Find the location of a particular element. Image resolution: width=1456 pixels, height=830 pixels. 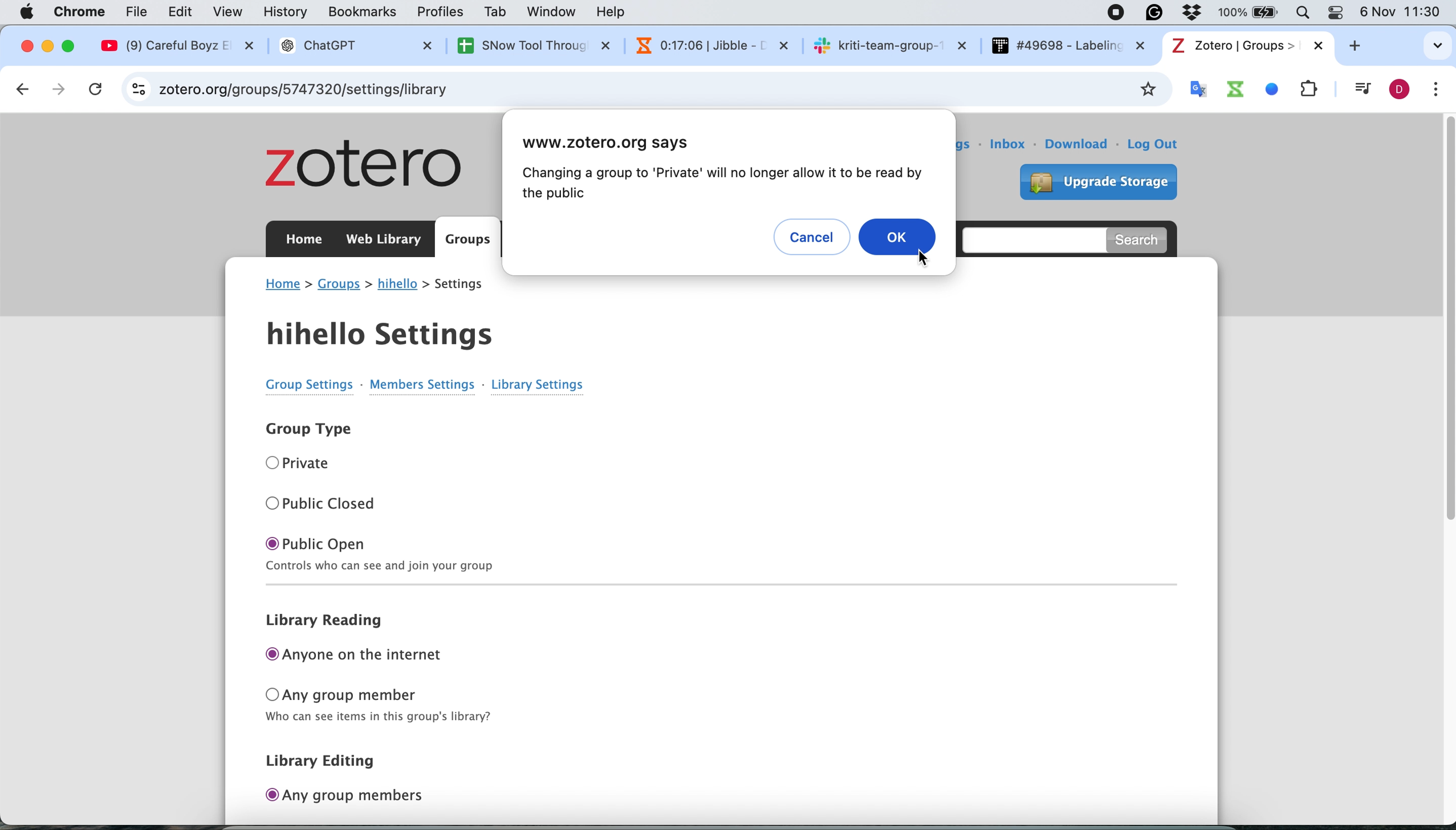

bookmark is located at coordinates (1146, 89).